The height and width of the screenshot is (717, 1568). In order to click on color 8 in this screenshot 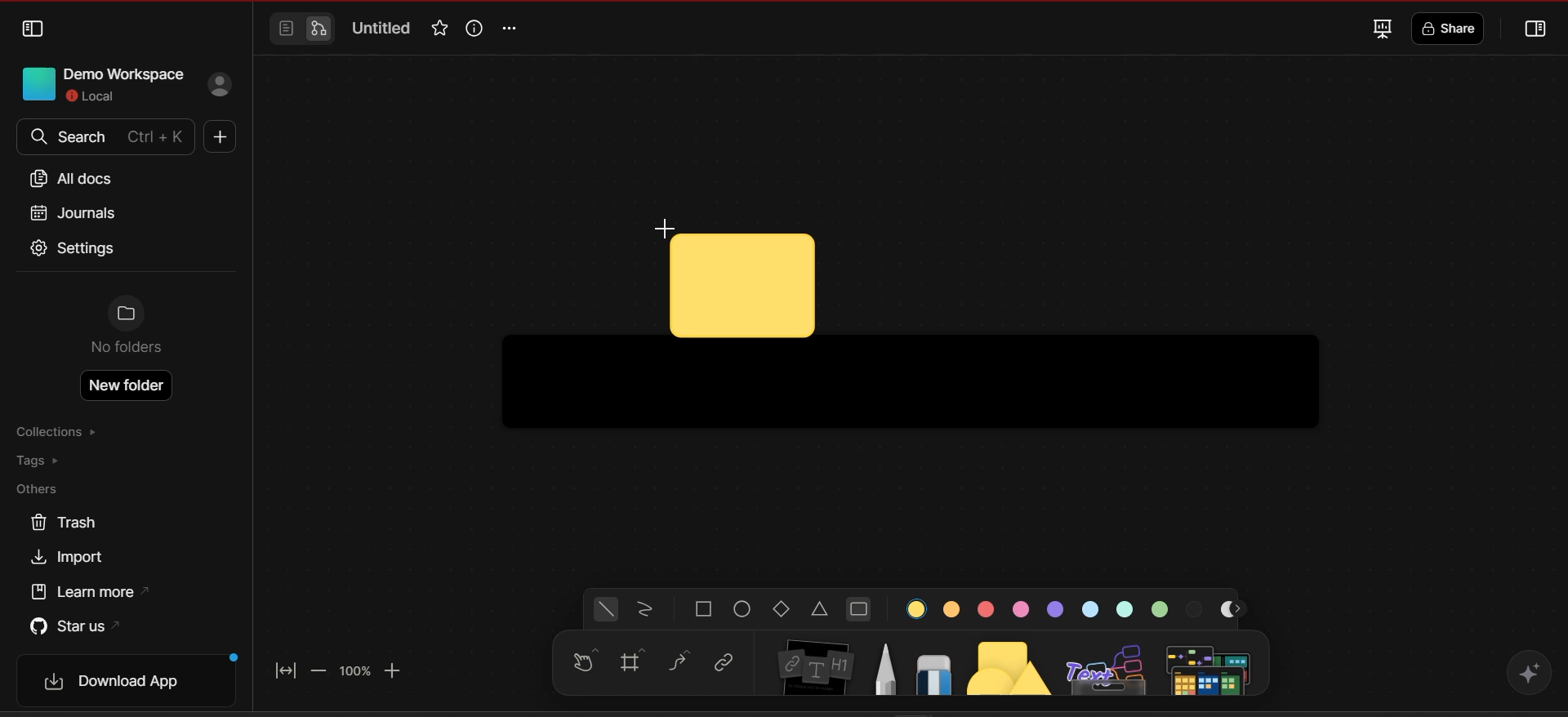, I will do `click(1162, 608)`.